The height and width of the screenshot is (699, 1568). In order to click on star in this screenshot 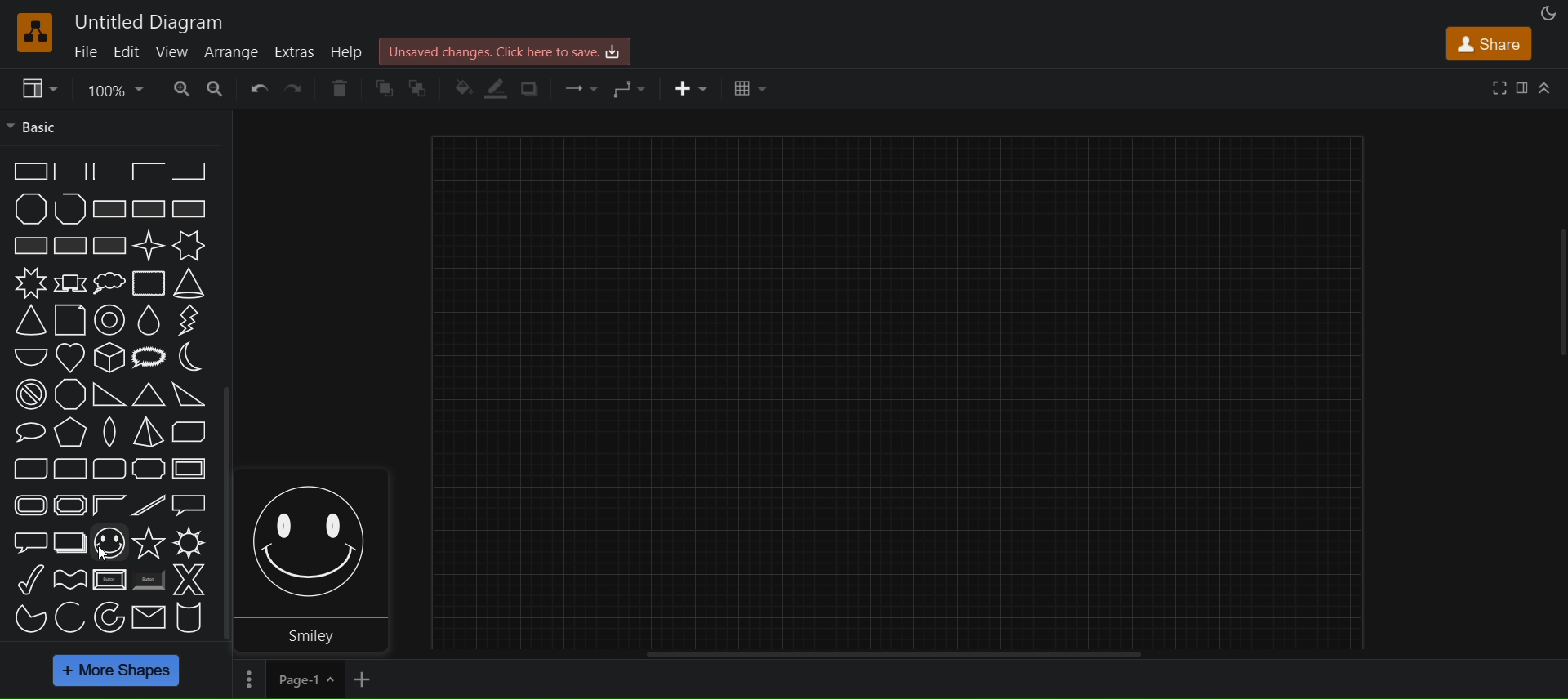, I will do `click(148, 543)`.